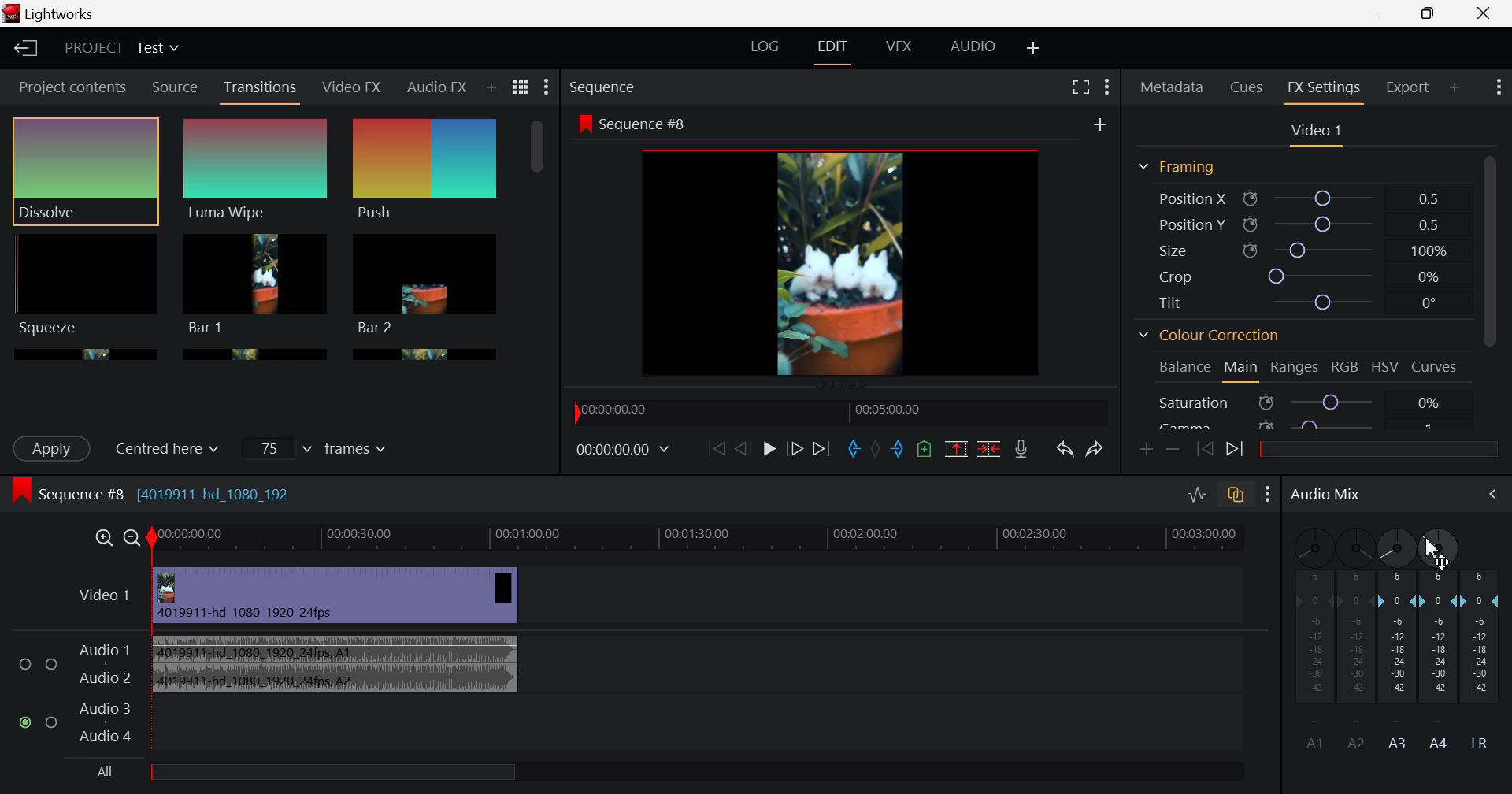  Describe the element at coordinates (822, 451) in the screenshot. I see `To End` at that location.